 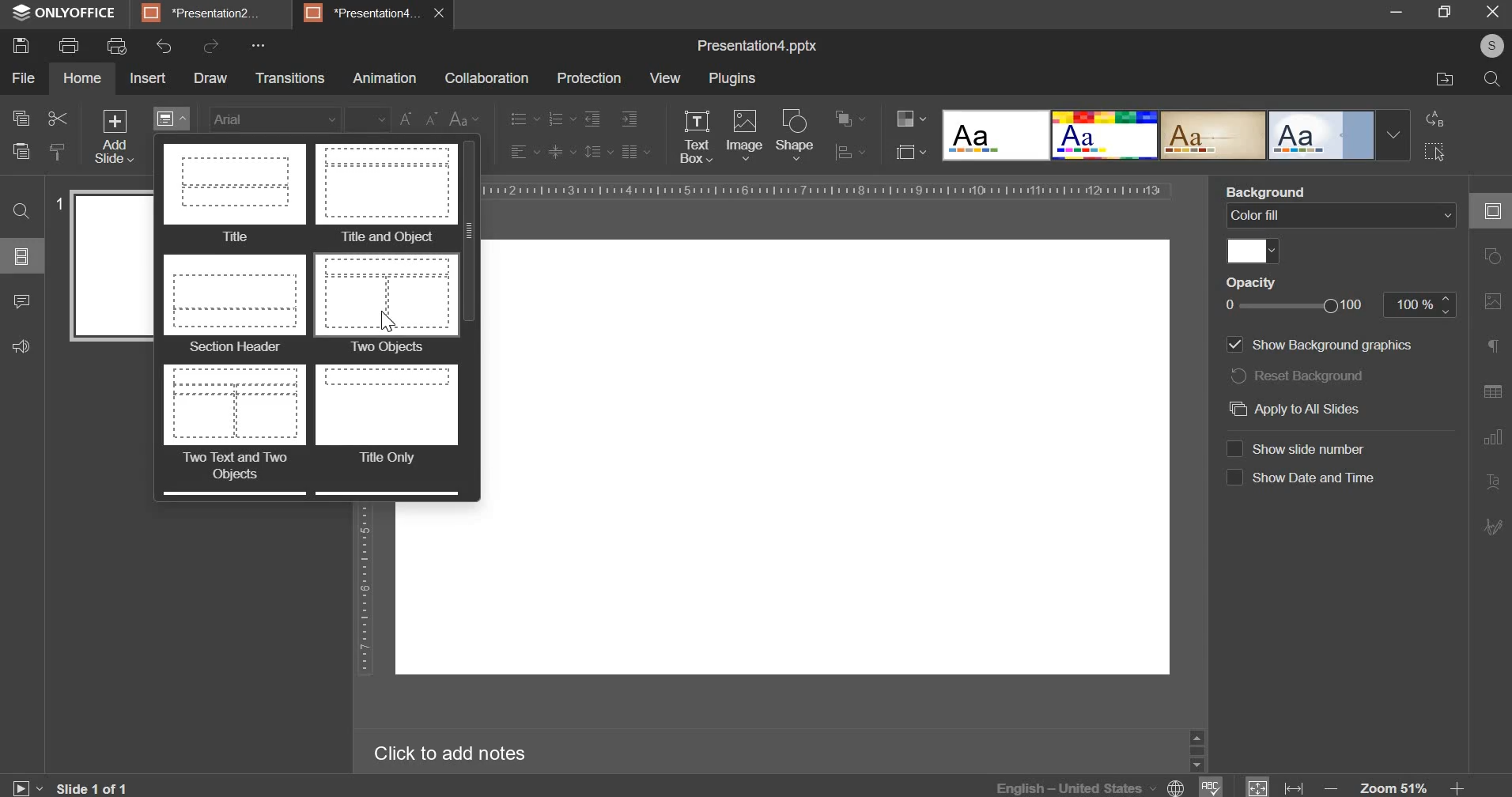 I want to click on presentation2..., so click(x=202, y=13).